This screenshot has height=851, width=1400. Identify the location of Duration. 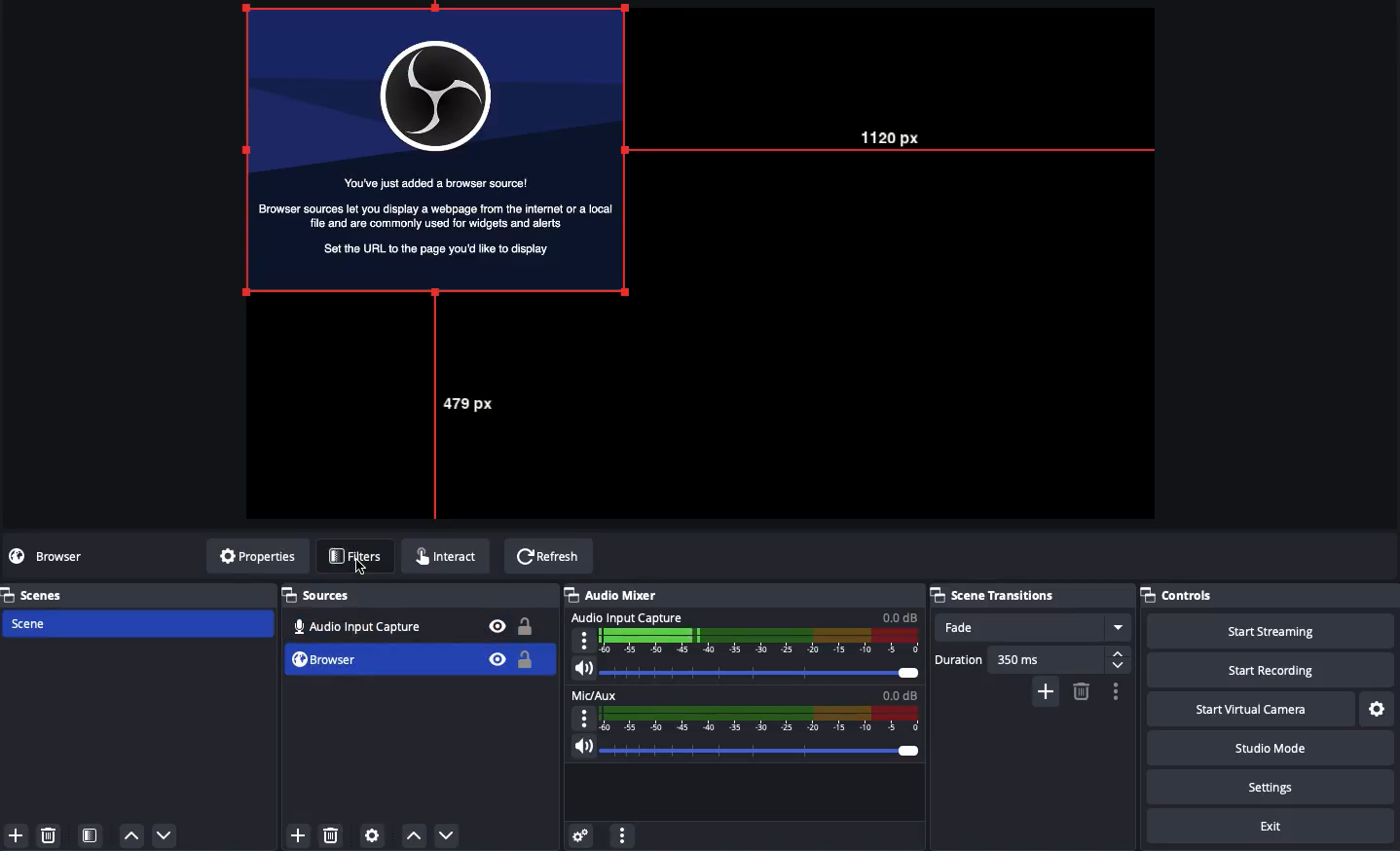
(1032, 659).